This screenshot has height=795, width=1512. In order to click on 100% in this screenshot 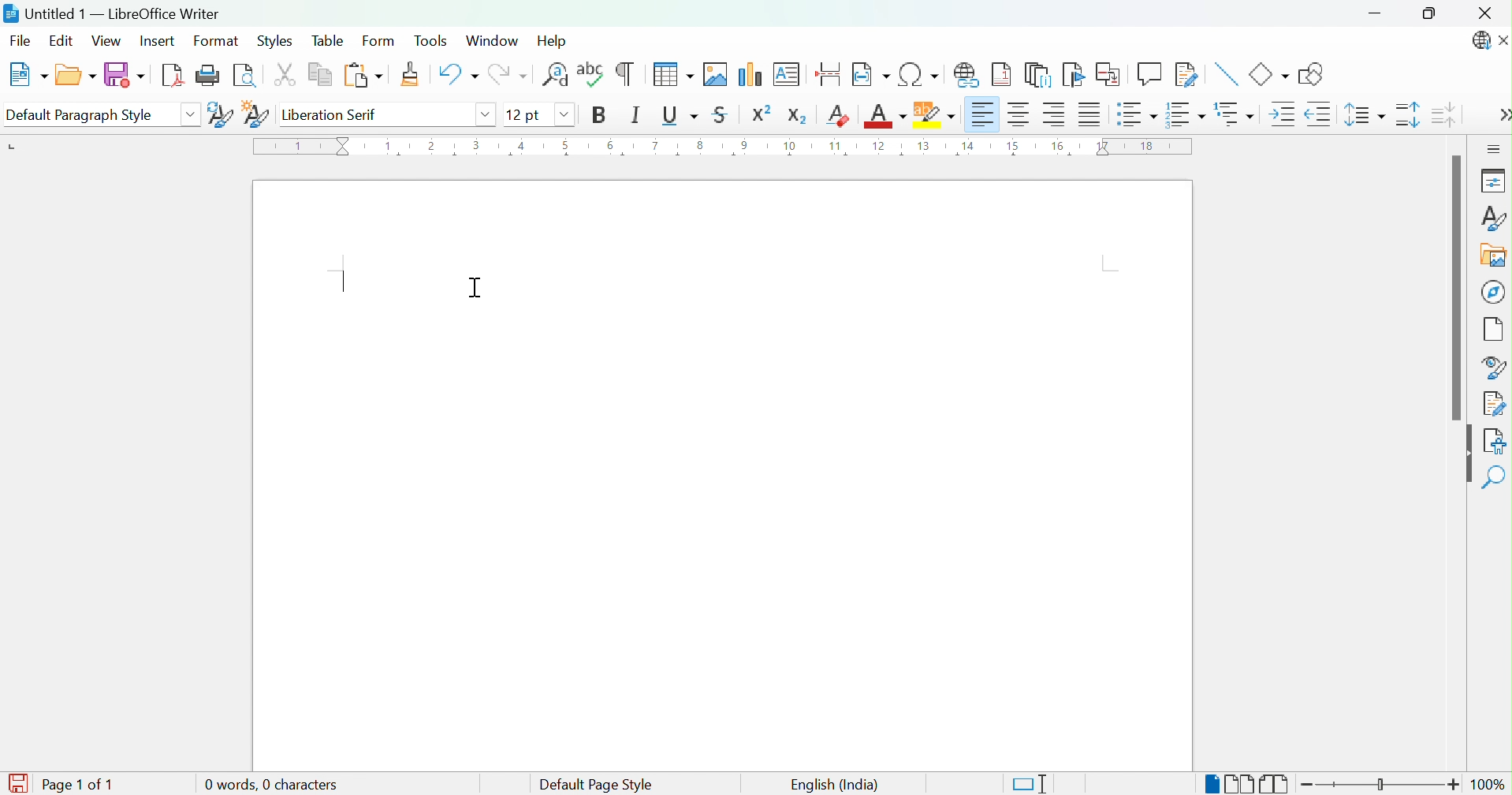, I will do `click(1493, 787)`.